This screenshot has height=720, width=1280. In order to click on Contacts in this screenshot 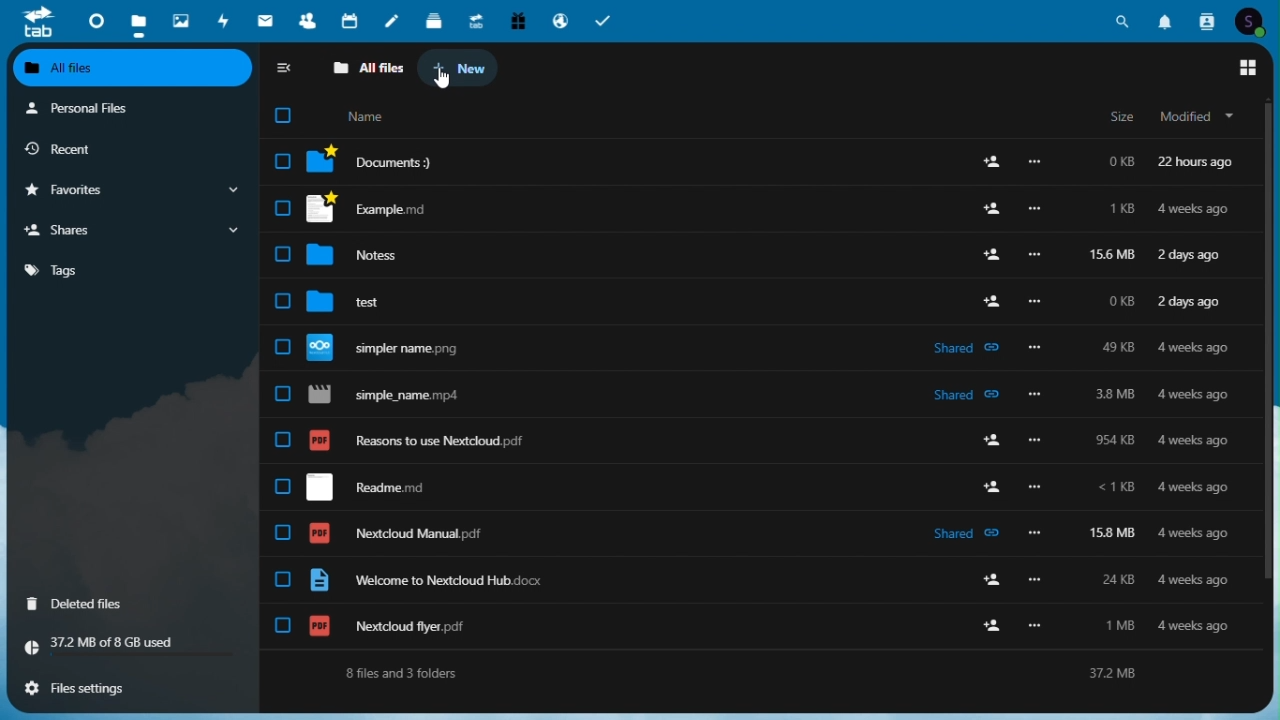, I will do `click(1205, 20)`.